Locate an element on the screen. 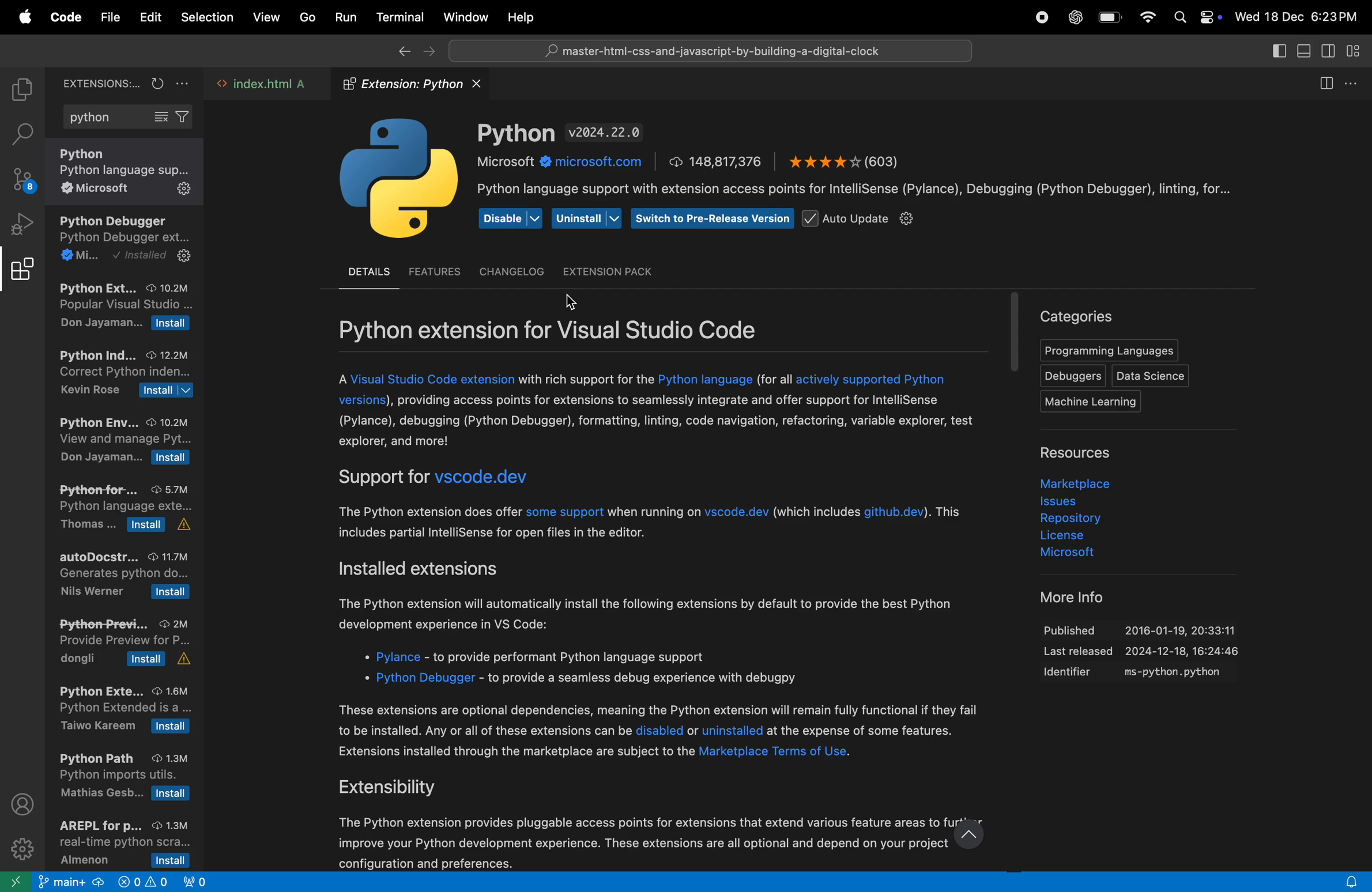  Auto upadte is located at coordinates (864, 220).